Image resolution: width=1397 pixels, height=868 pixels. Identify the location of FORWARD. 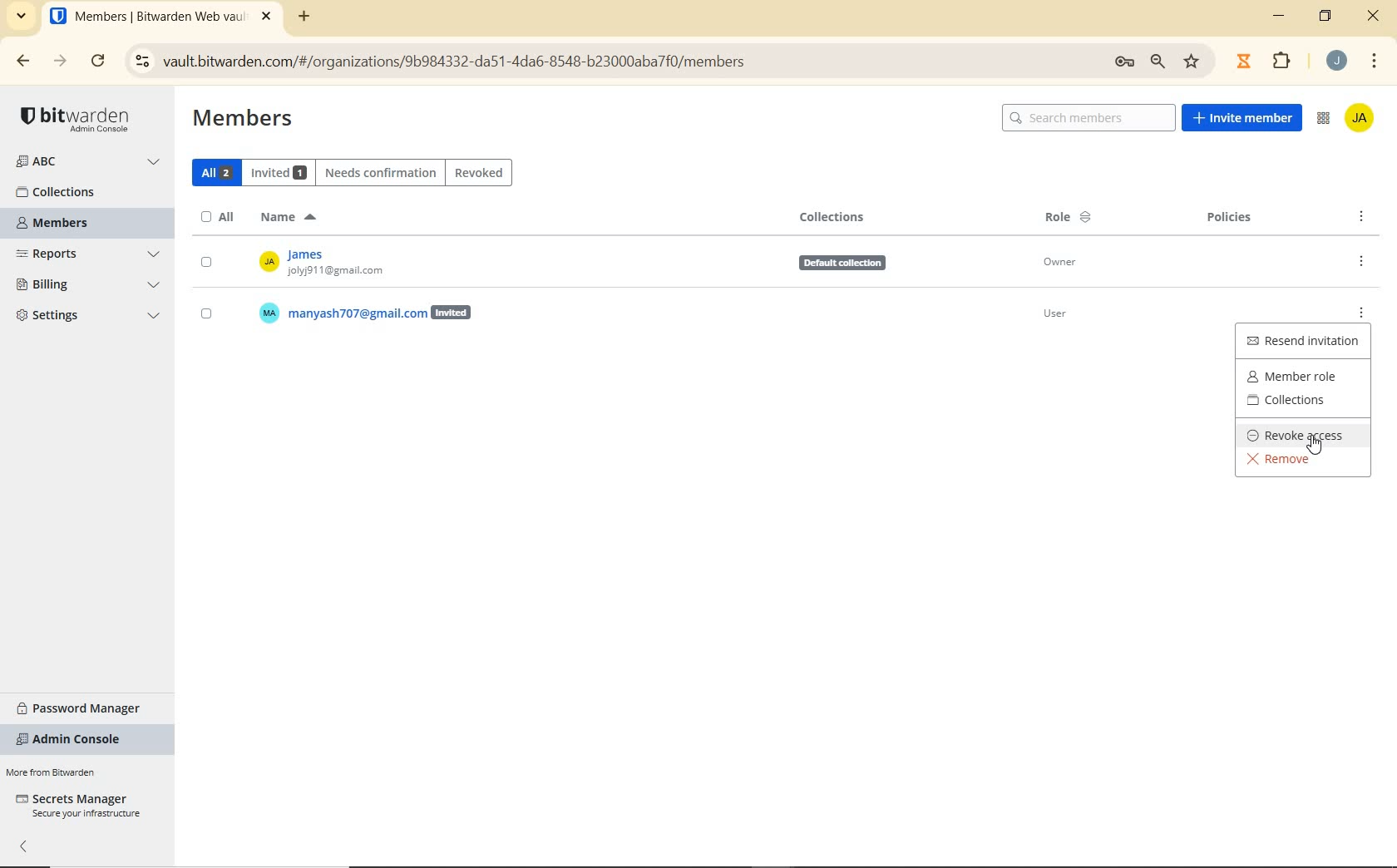
(57, 62).